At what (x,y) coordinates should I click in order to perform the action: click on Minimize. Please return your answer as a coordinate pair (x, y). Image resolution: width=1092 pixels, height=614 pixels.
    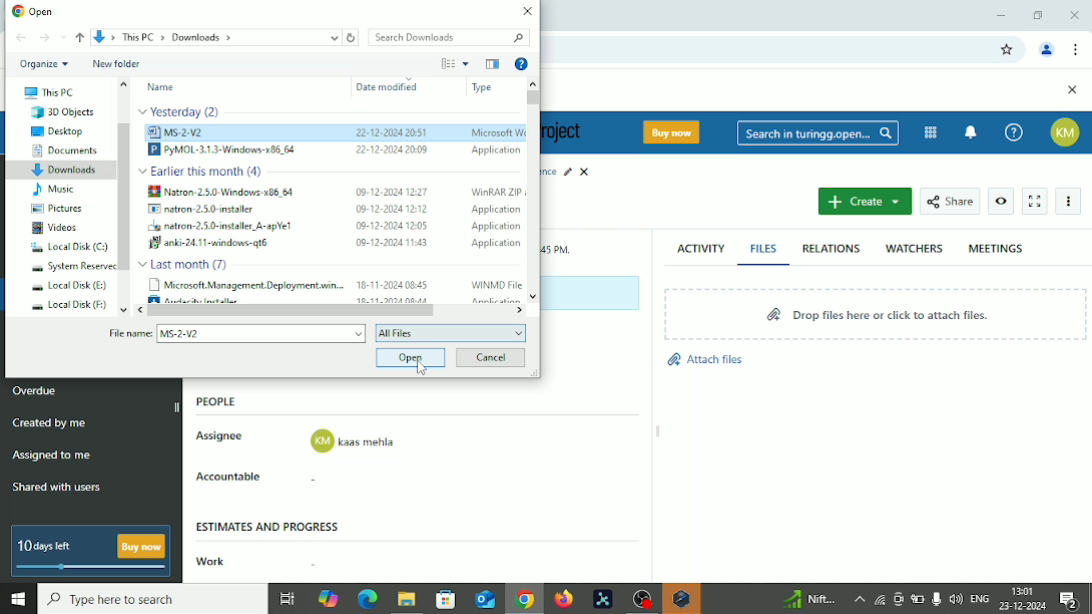
    Looking at the image, I should click on (999, 15).